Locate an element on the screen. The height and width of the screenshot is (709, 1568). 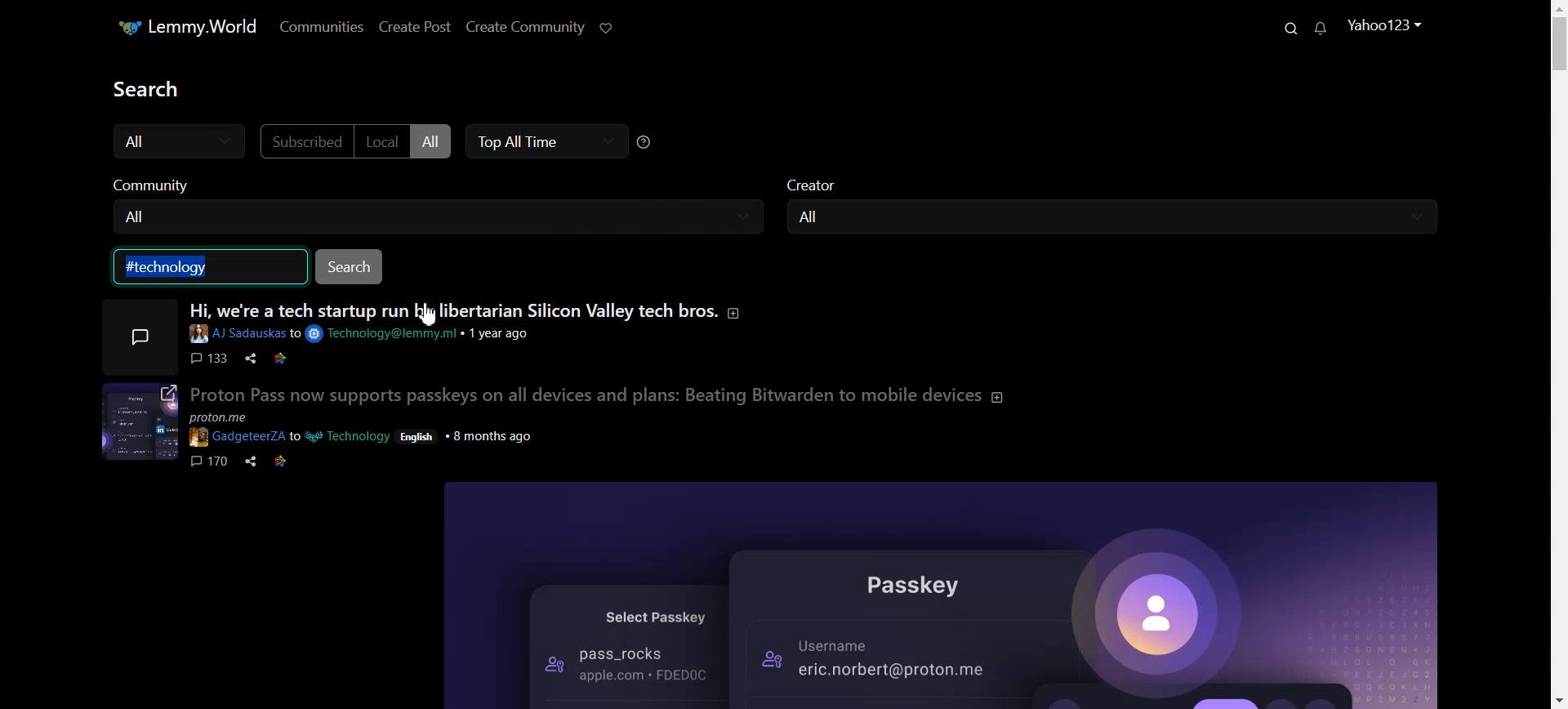
Create Post is located at coordinates (421, 28).